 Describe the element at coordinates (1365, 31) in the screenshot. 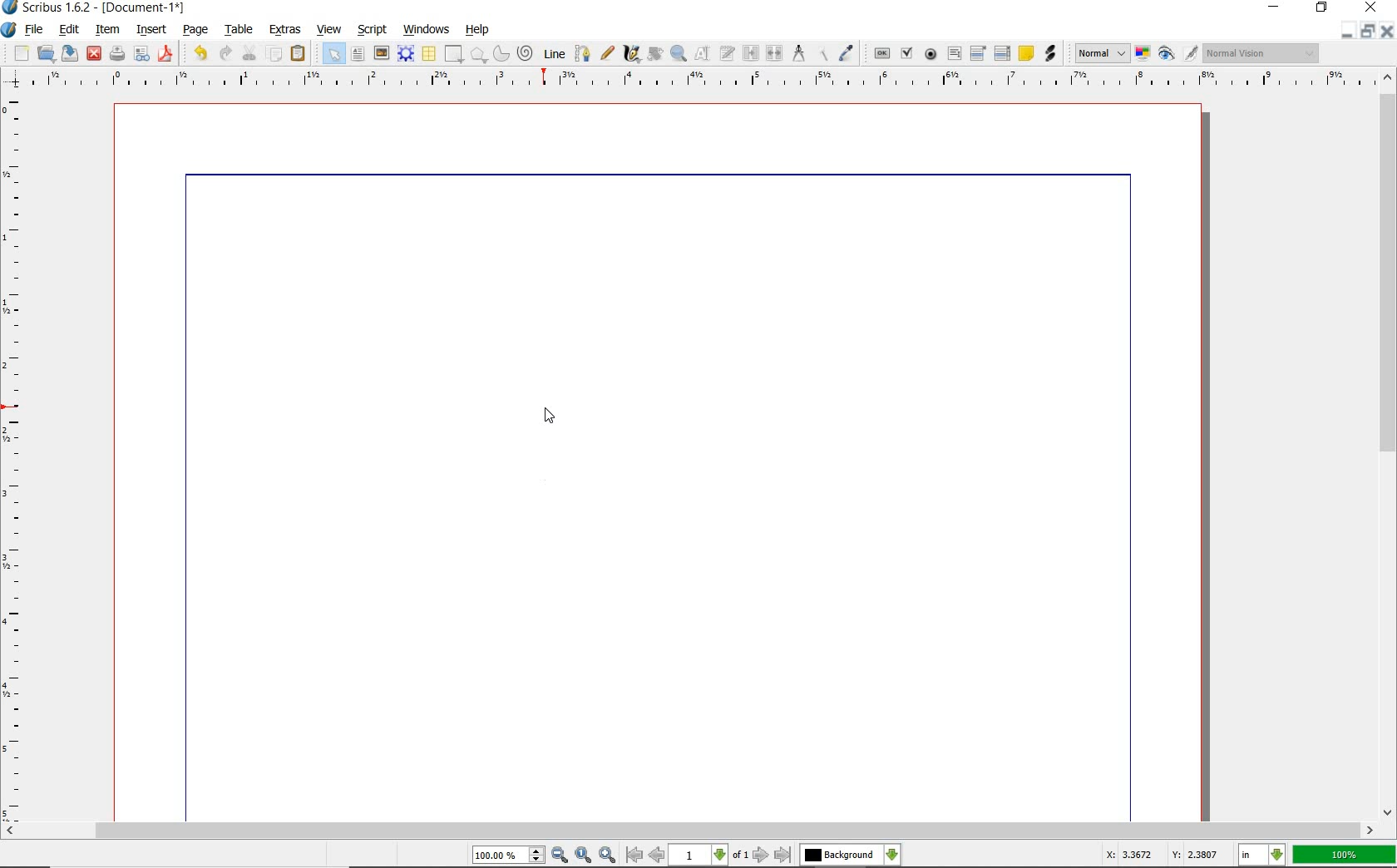

I see `Minimize` at that location.